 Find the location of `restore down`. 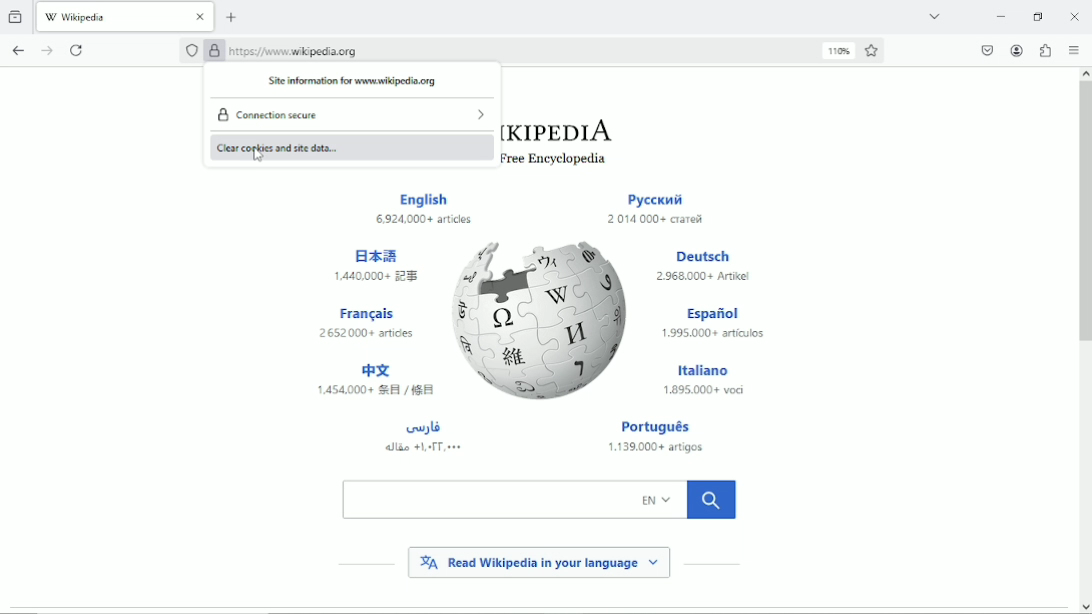

restore down is located at coordinates (1039, 16).